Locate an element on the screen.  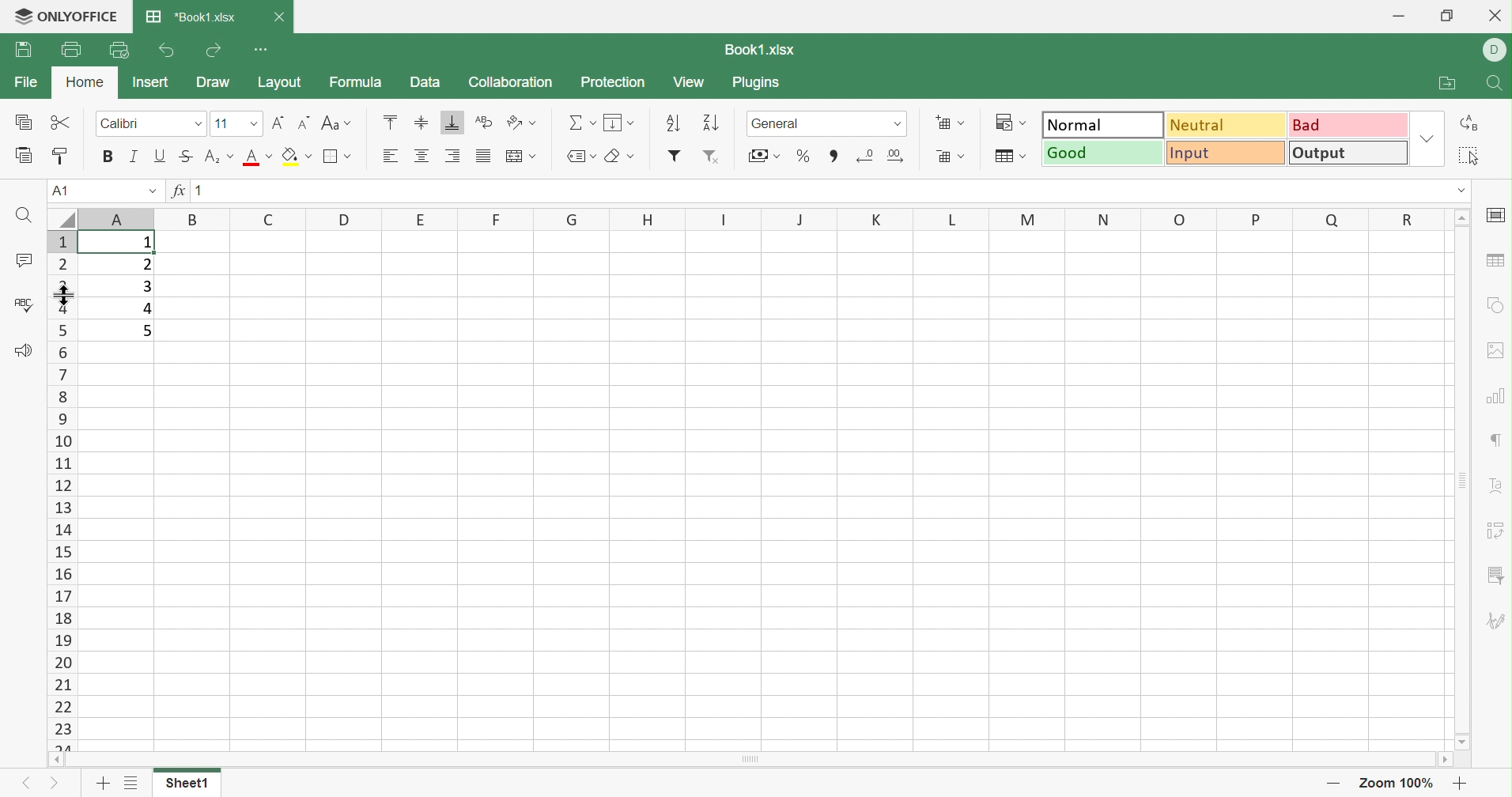
Copy is located at coordinates (25, 123).